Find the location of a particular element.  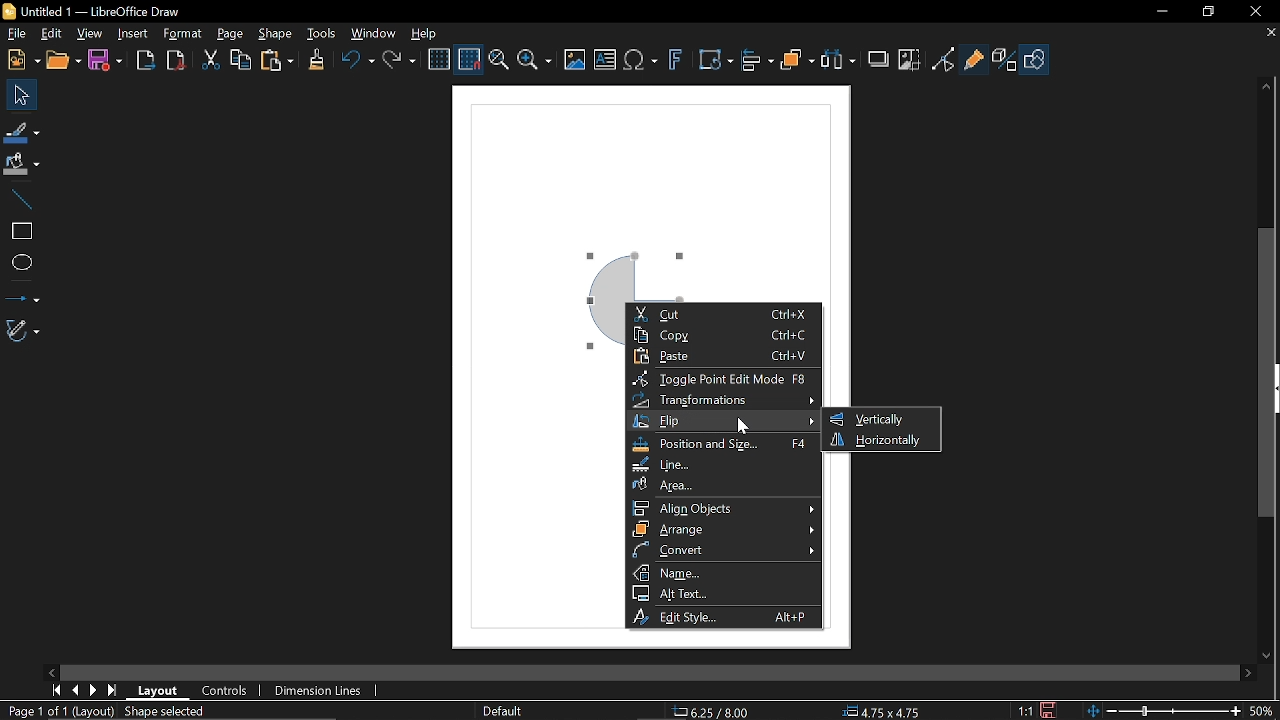

Insert fontwork is located at coordinates (678, 60).